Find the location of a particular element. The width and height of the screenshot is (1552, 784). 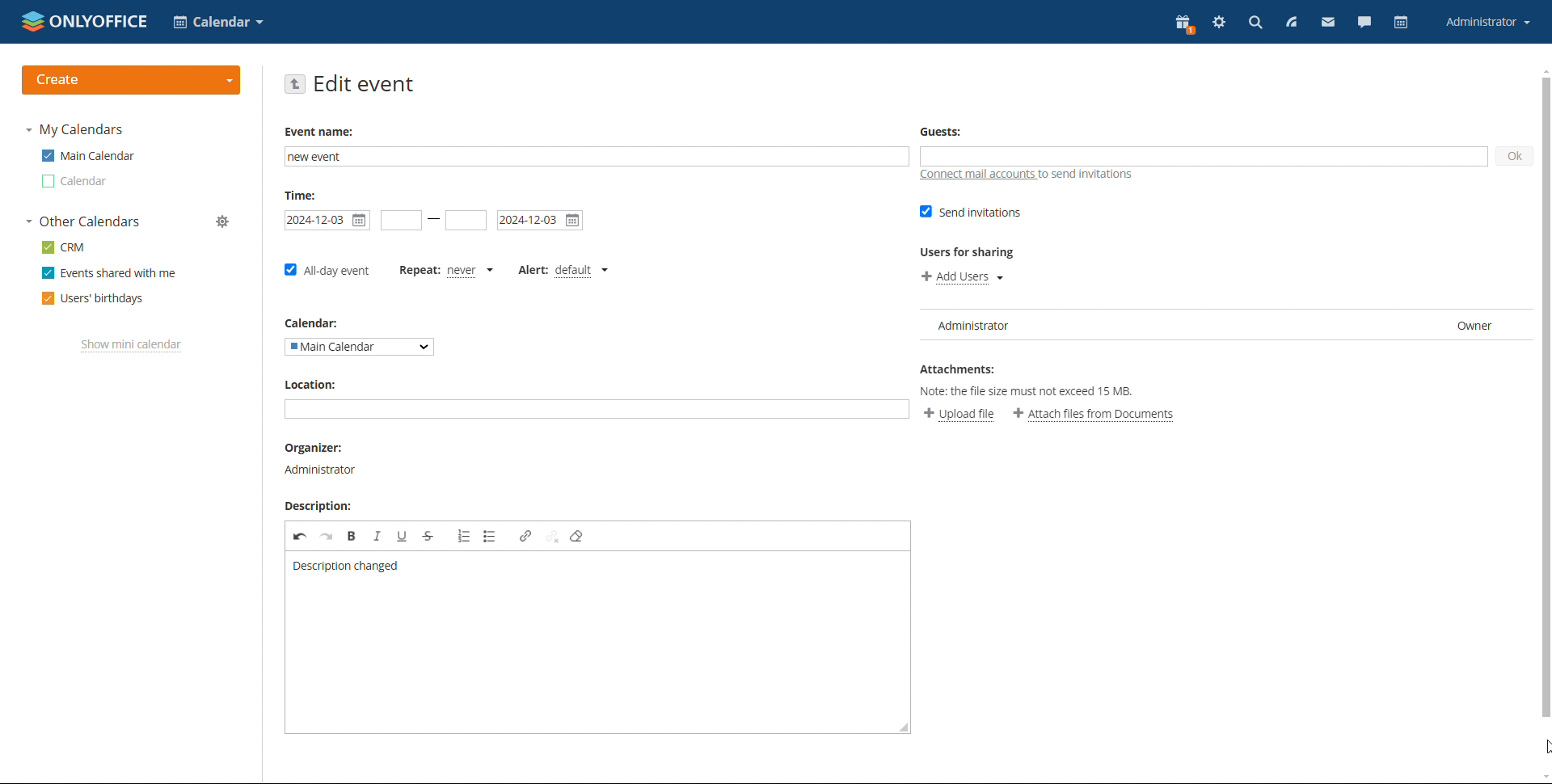

start date is located at coordinates (328, 221).